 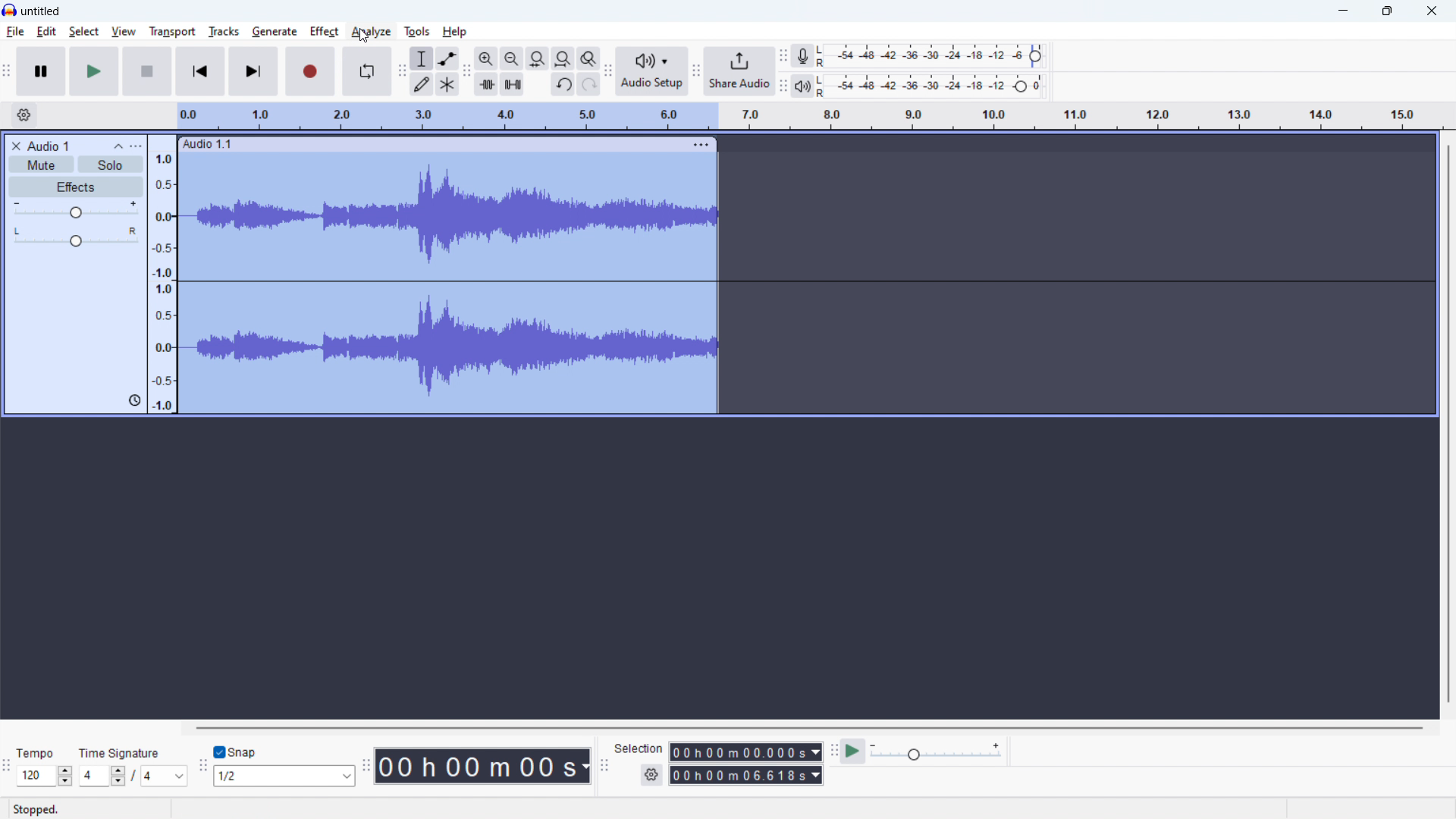 What do you see at coordinates (1342, 11) in the screenshot?
I see `minimize` at bounding box center [1342, 11].